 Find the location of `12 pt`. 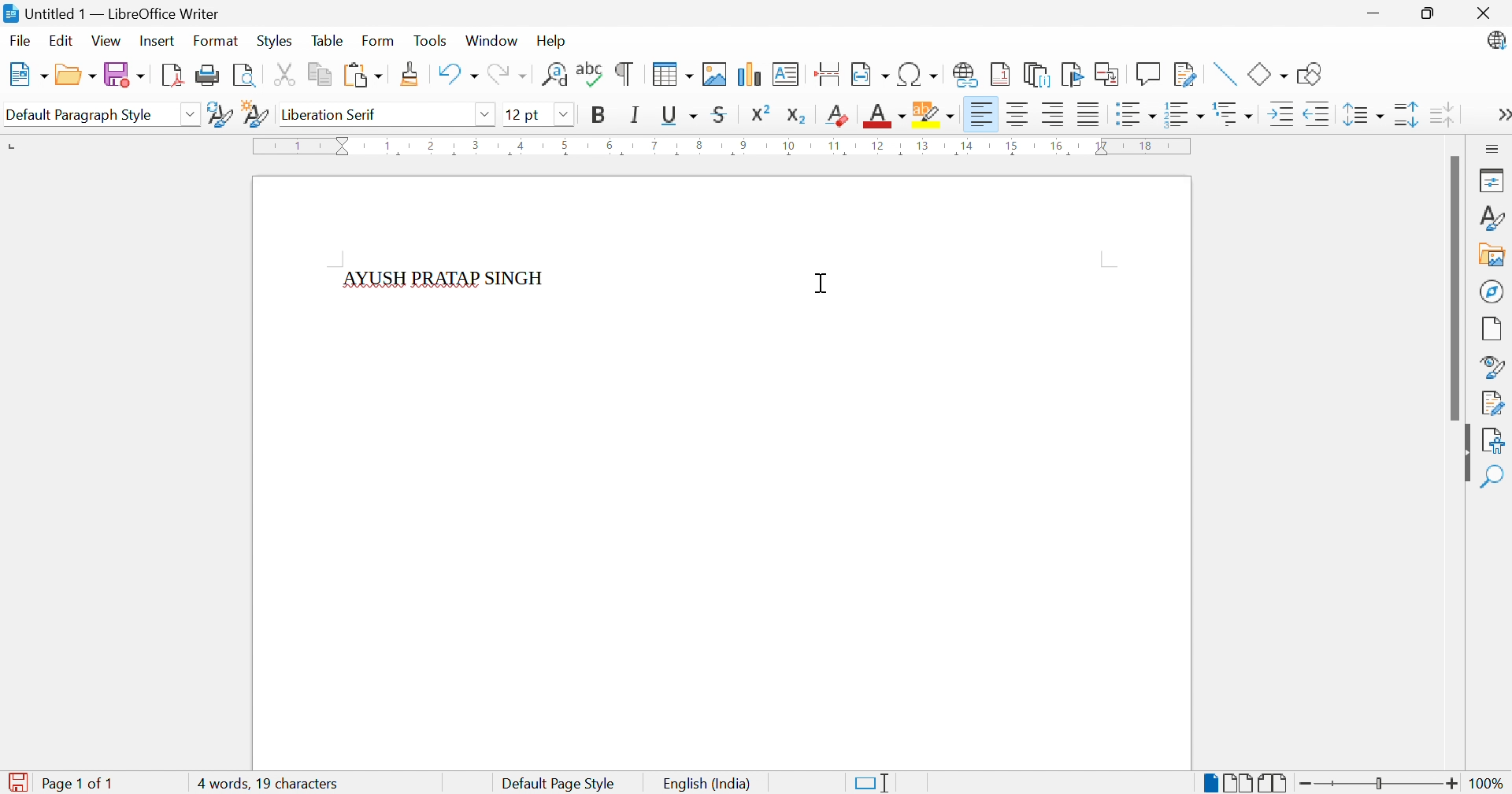

12 pt is located at coordinates (521, 113).